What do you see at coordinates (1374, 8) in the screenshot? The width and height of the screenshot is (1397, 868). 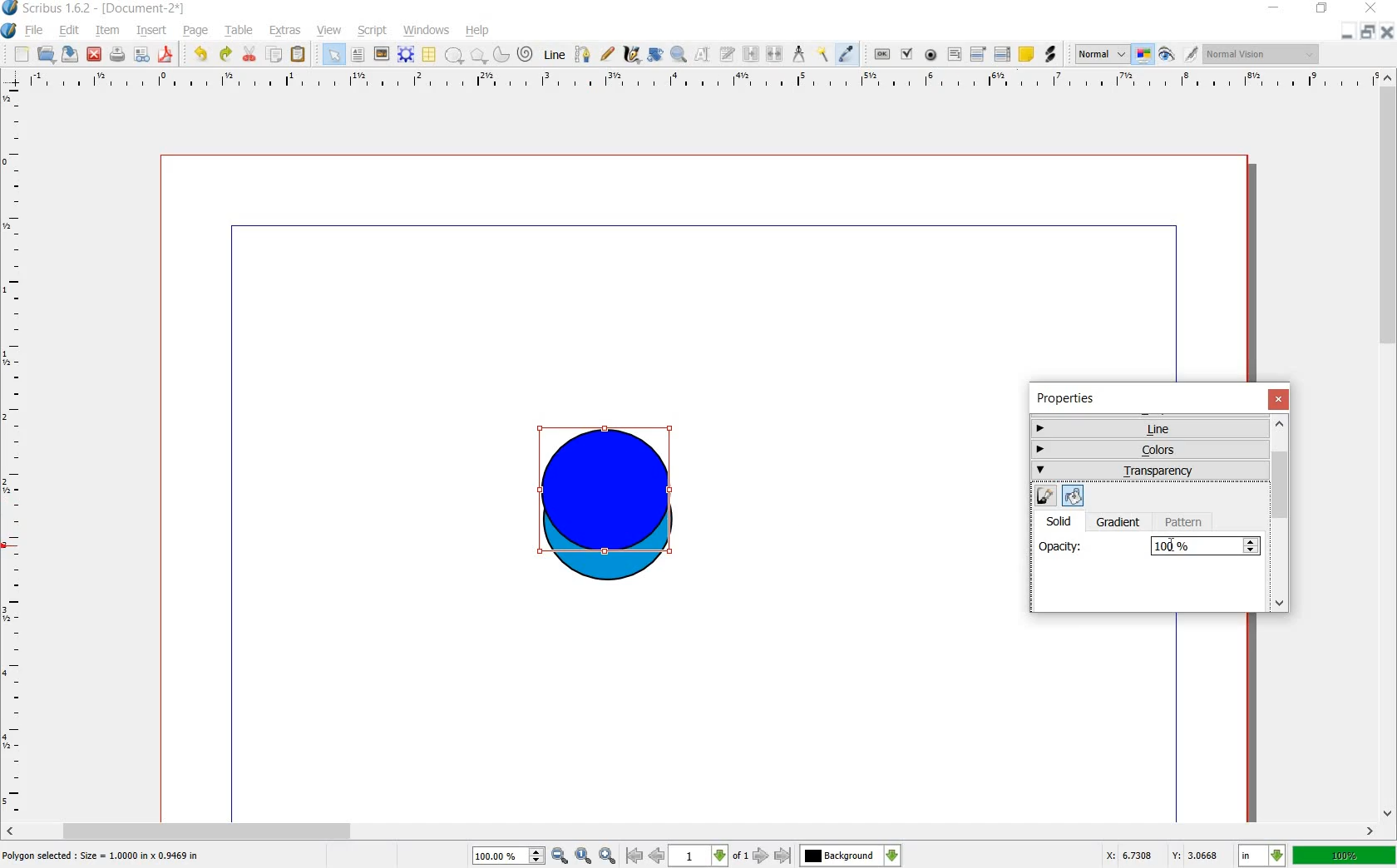 I see `close` at bounding box center [1374, 8].